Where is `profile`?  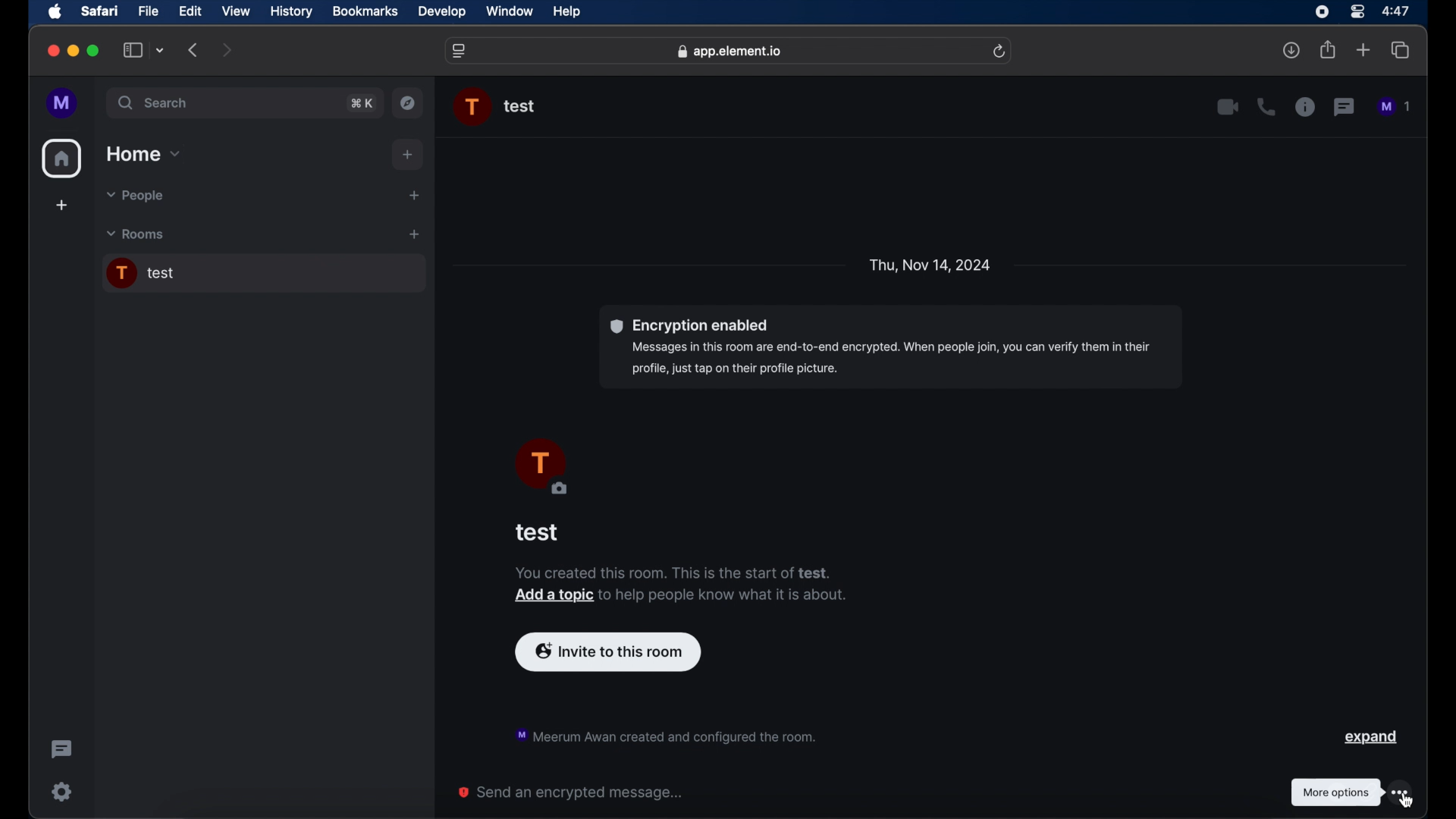
profile is located at coordinates (63, 103).